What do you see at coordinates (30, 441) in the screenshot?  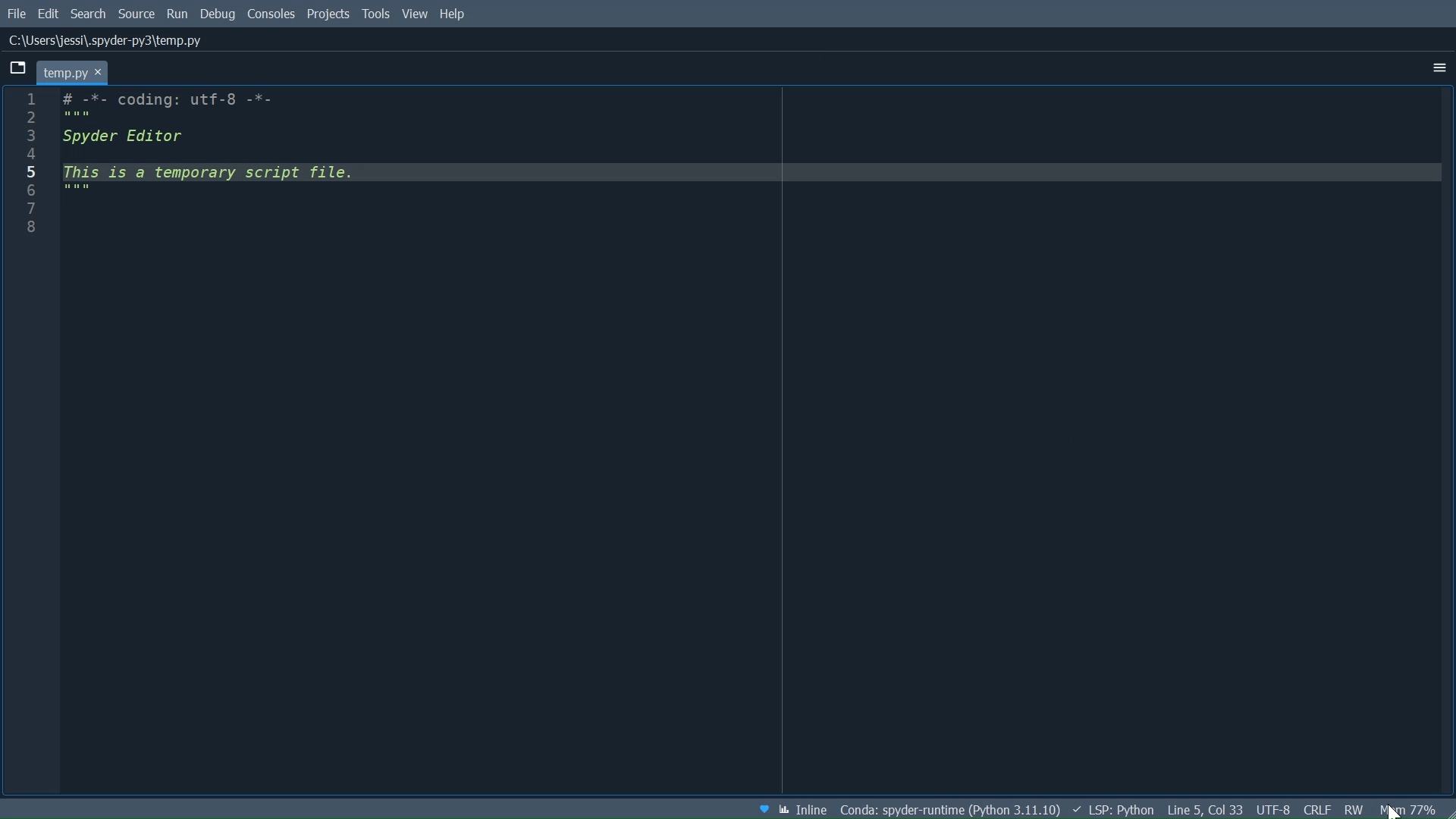 I see `Line column` at bounding box center [30, 441].